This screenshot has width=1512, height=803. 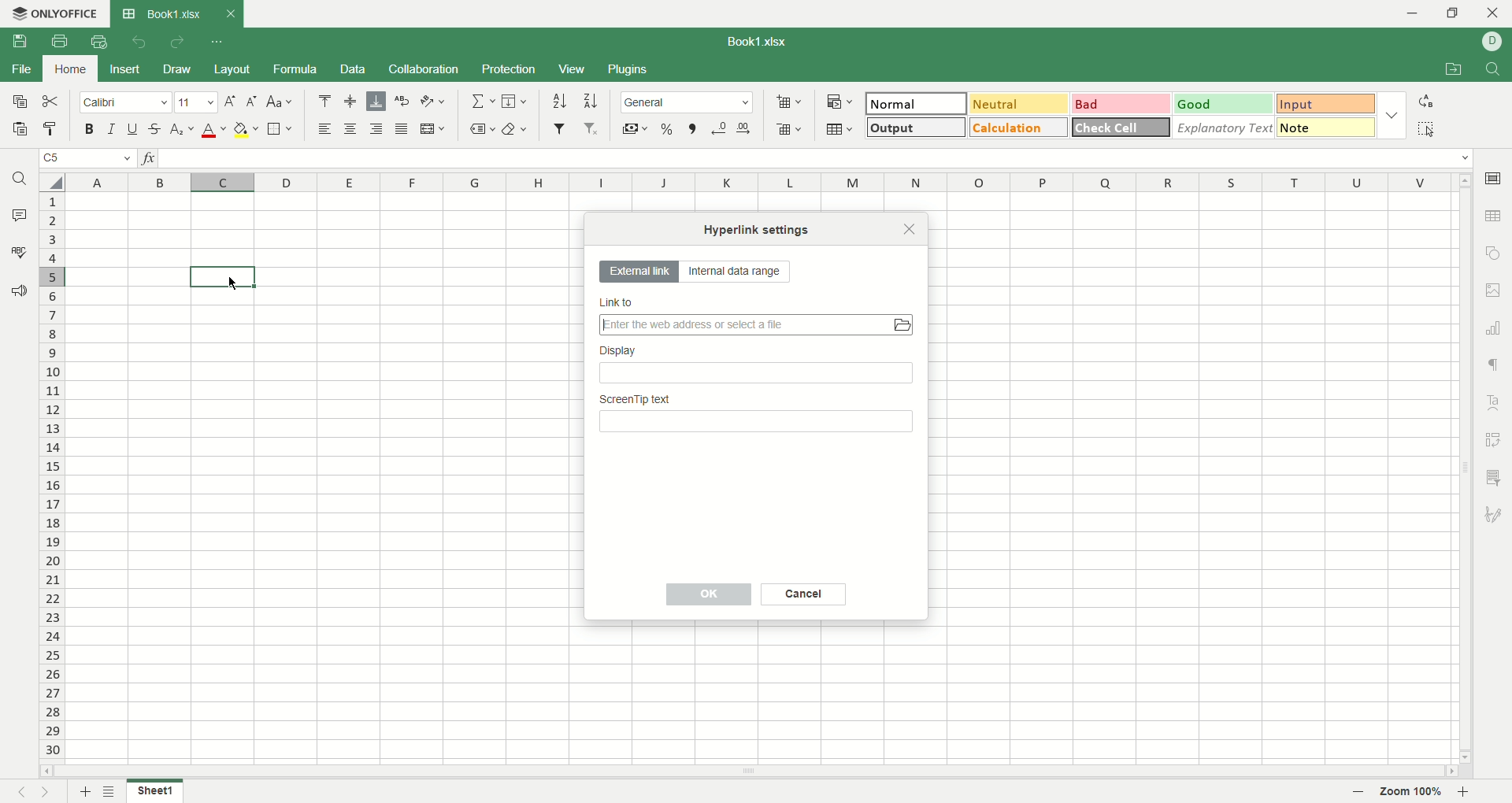 What do you see at coordinates (50, 792) in the screenshot?
I see `next sheet` at bounding box center [50, 792].